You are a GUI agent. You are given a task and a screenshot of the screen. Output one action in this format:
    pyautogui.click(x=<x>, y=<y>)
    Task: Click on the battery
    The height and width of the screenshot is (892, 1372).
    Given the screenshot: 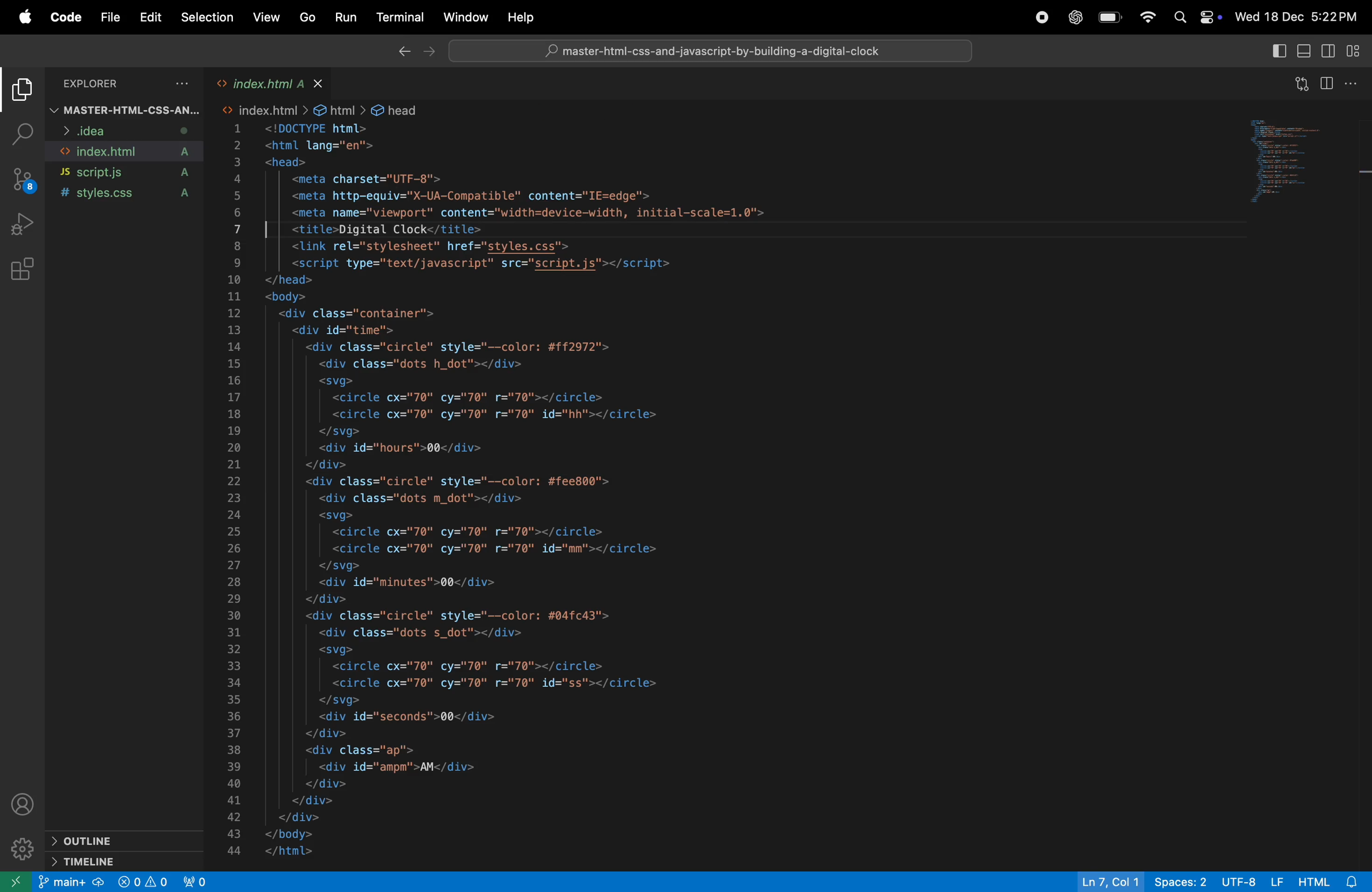 What is the action you would take?
    pyautogui.click(x=1108, y=18)
    